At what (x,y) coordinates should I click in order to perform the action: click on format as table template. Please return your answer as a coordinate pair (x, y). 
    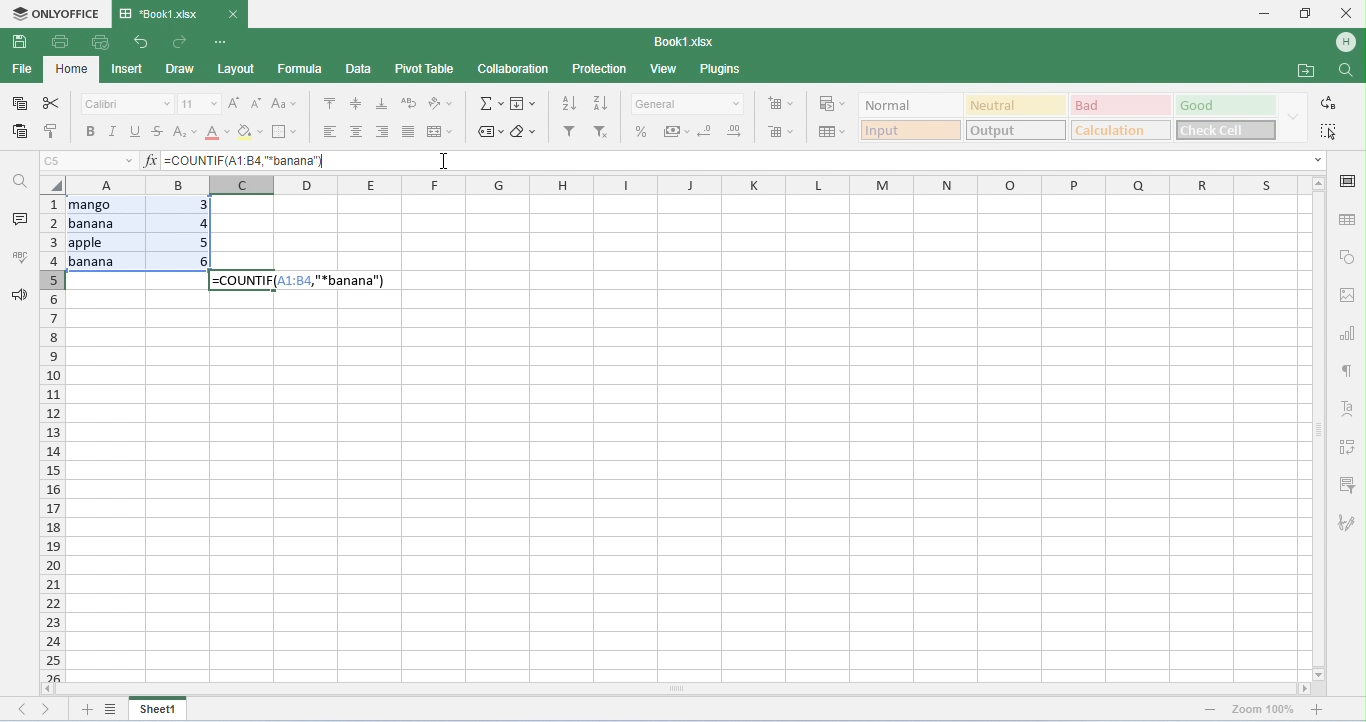
    Looking at the image, I should click on (832, 133).